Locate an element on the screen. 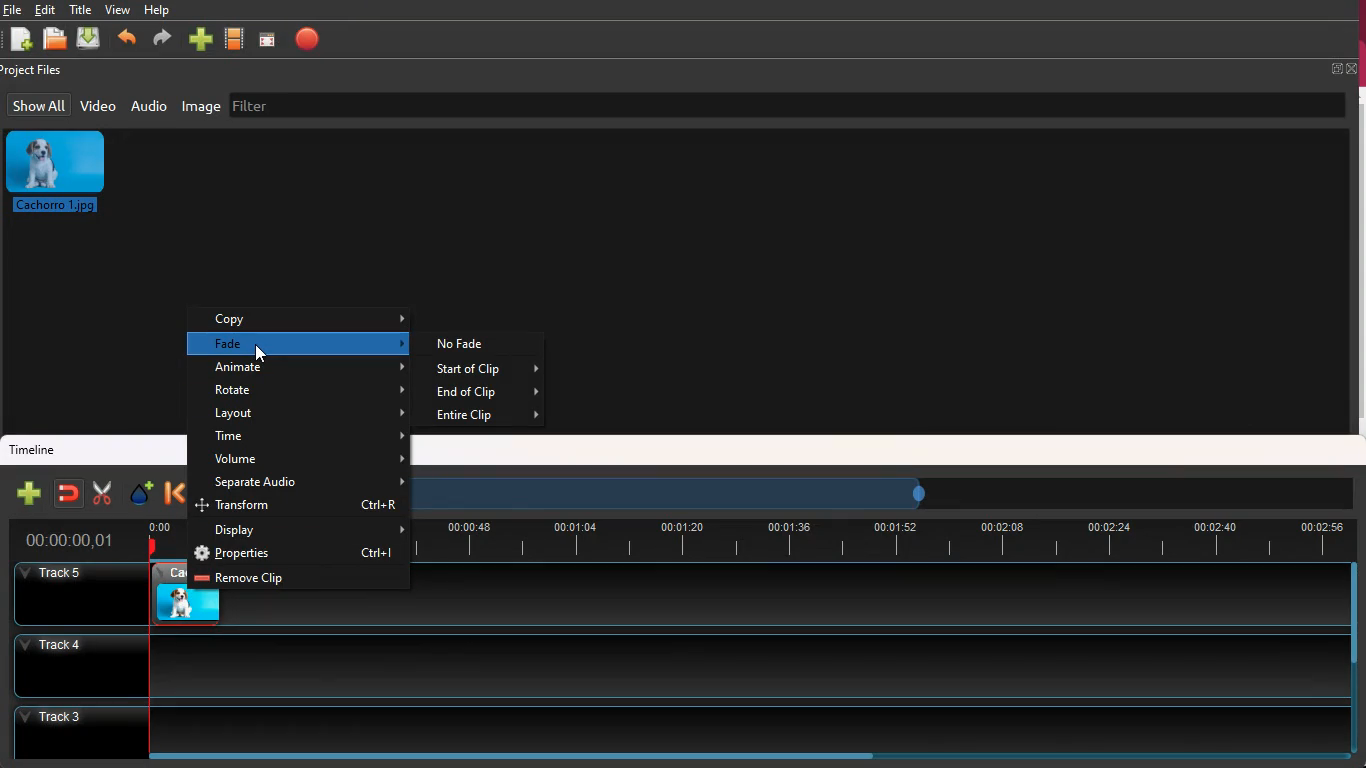 The width and height of the screenshot is (1366, 768). timeline is located at coordinates (36, 449).